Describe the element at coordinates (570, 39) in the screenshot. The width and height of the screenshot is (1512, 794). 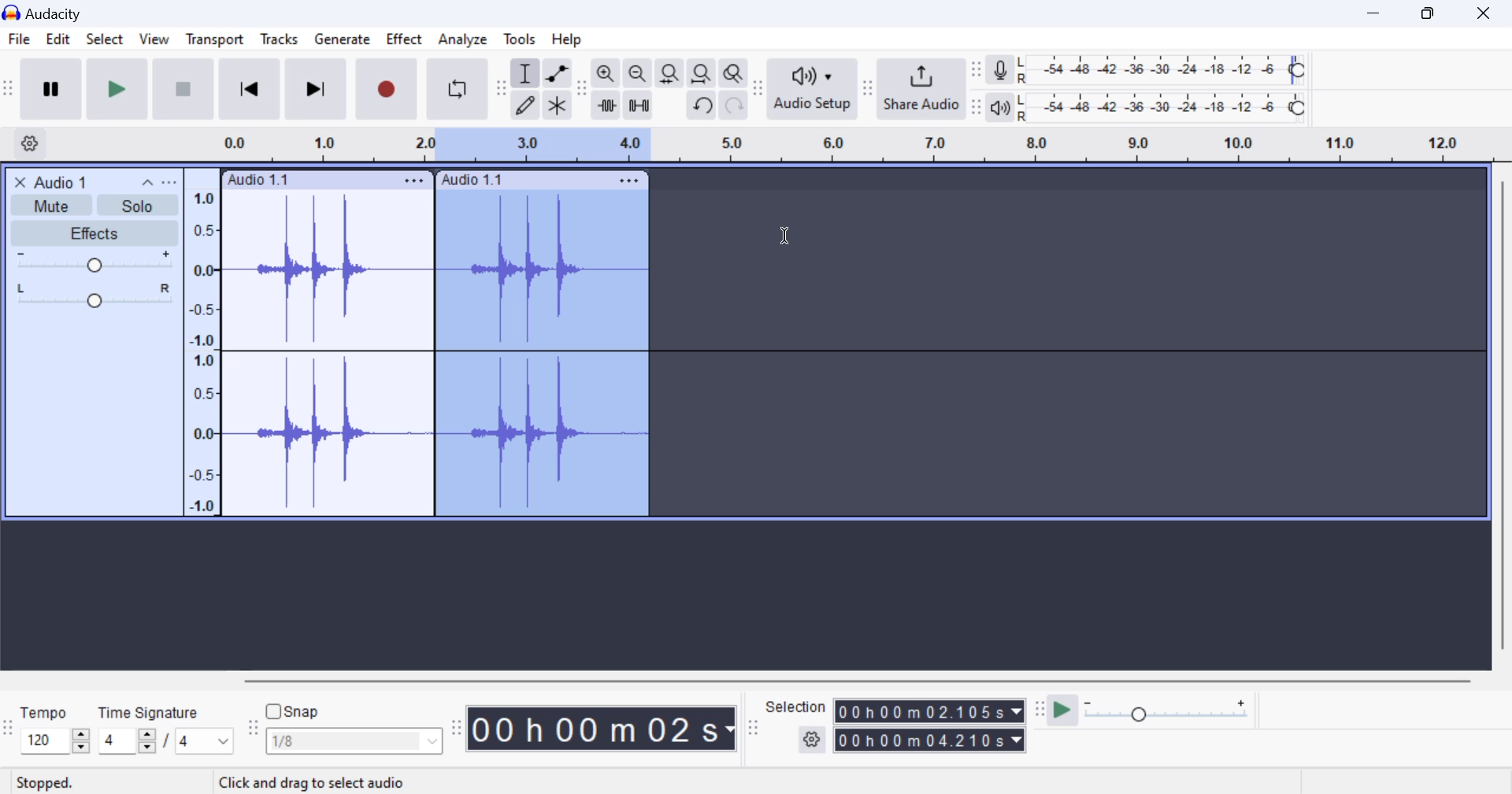
I see `Help` at that location.